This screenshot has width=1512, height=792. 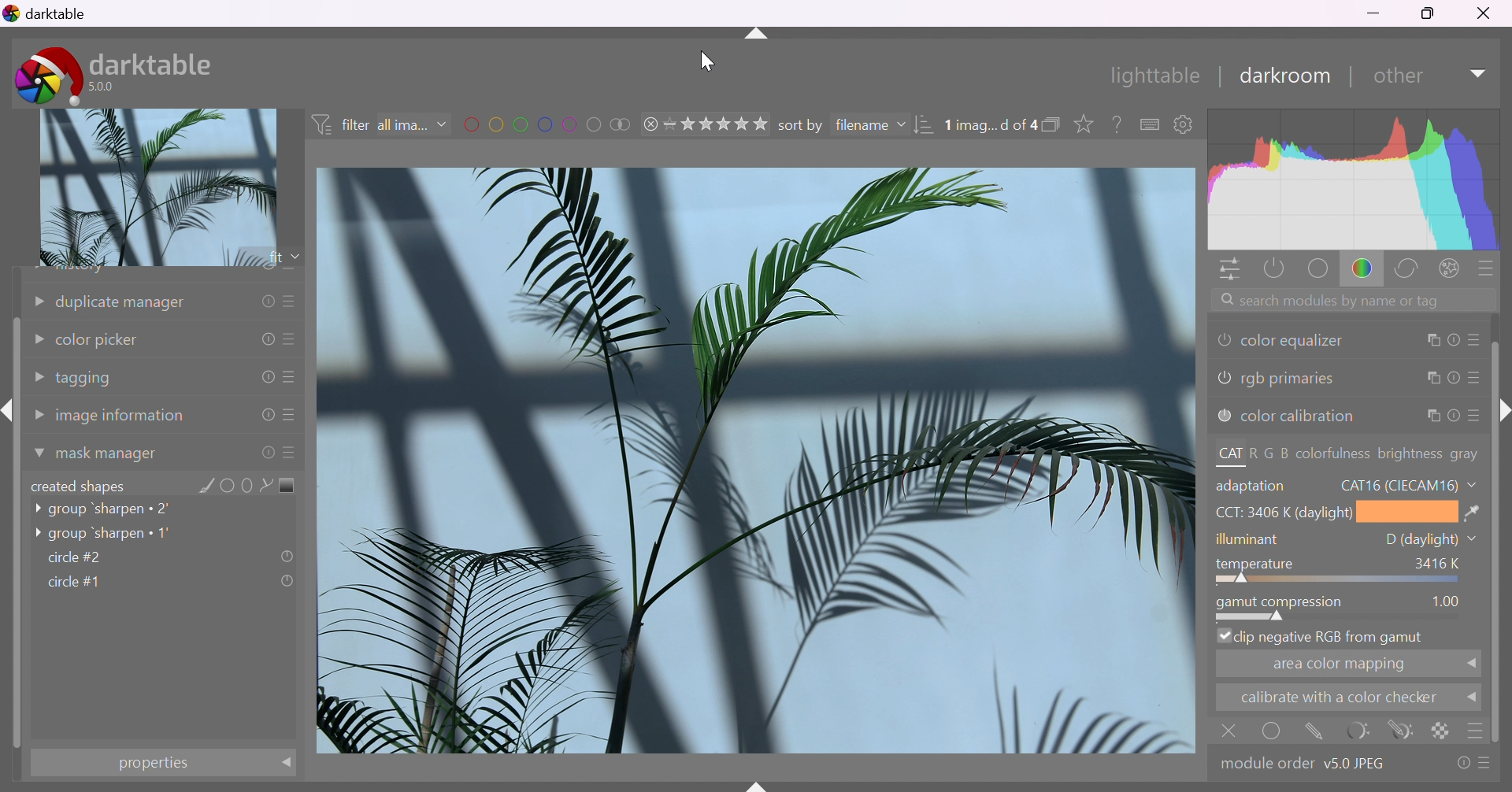 I want to click on calibarate with color checker, so click(x=1349, y=699).